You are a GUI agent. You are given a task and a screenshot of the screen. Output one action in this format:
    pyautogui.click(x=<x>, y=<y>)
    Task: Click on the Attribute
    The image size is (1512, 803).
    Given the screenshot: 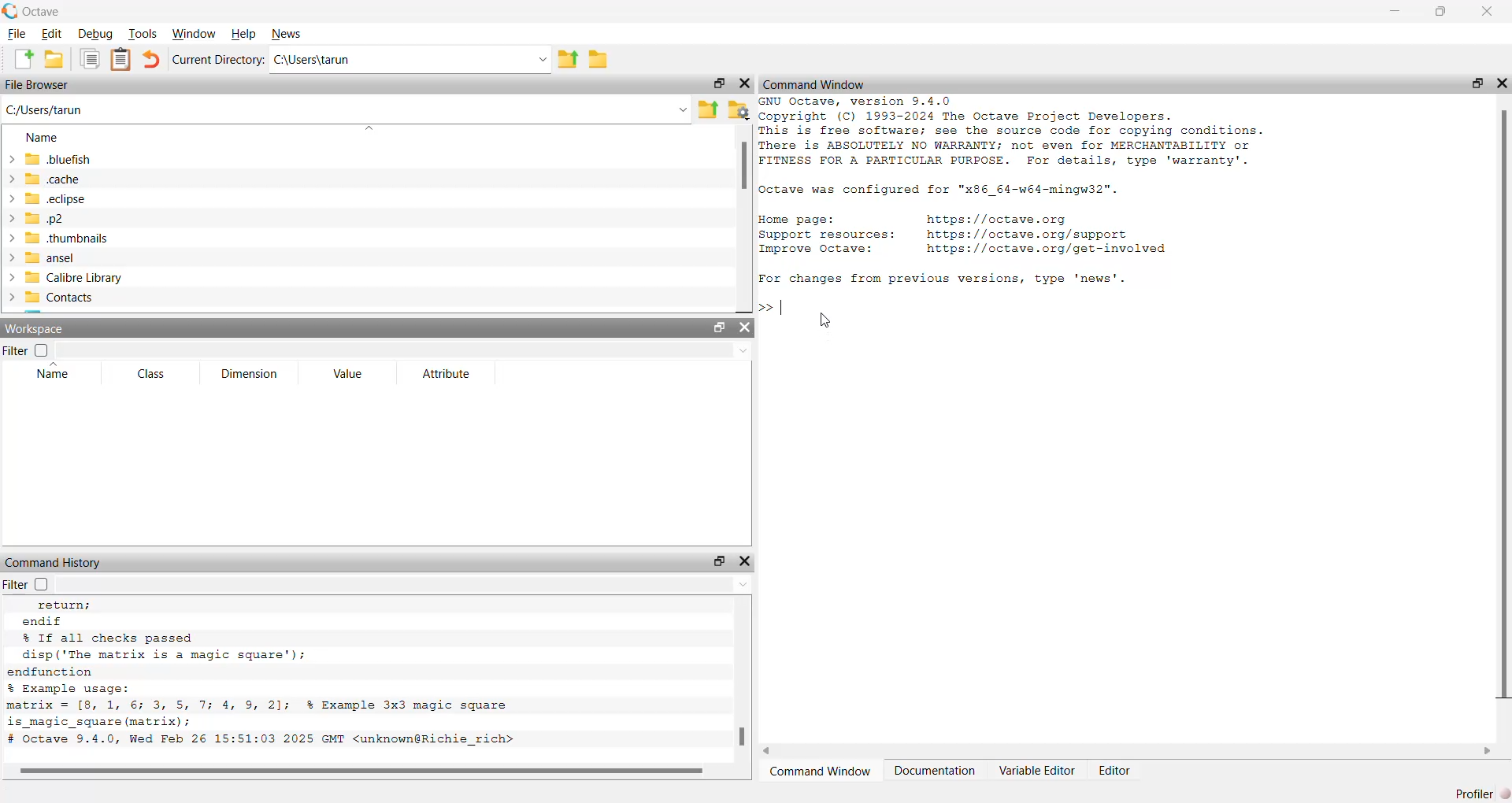 What is the action you would take?
    pyautogui.click(x=448, y=374)
    